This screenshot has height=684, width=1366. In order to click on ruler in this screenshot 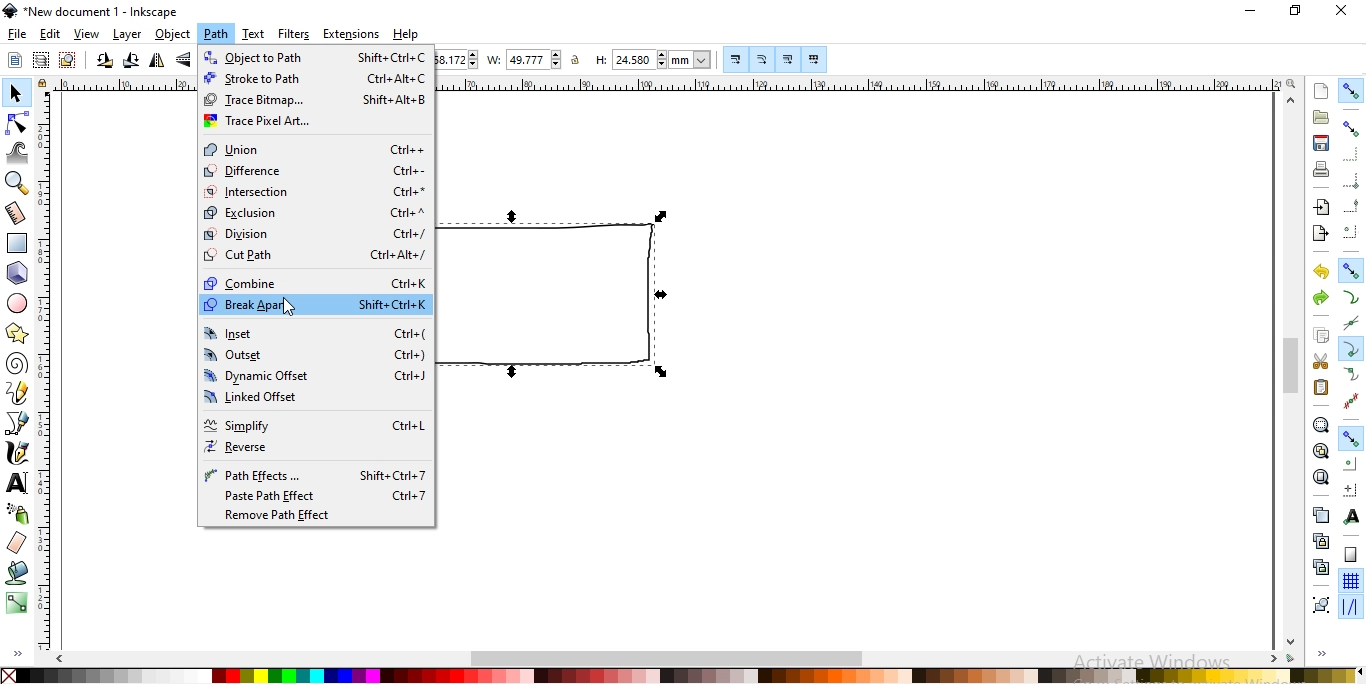, I will do `click(50, 376)`.